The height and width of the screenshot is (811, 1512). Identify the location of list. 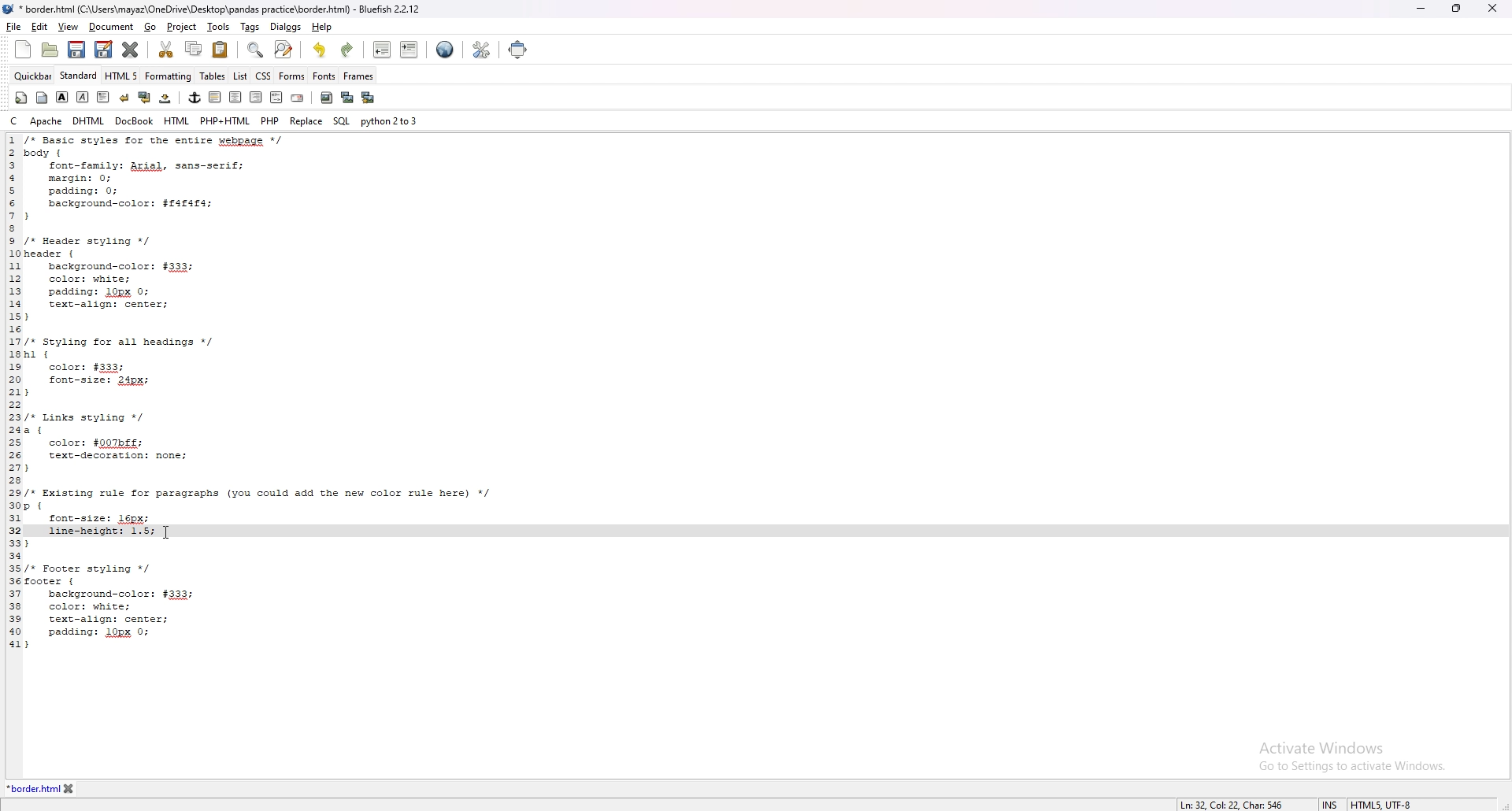
(242, 76).